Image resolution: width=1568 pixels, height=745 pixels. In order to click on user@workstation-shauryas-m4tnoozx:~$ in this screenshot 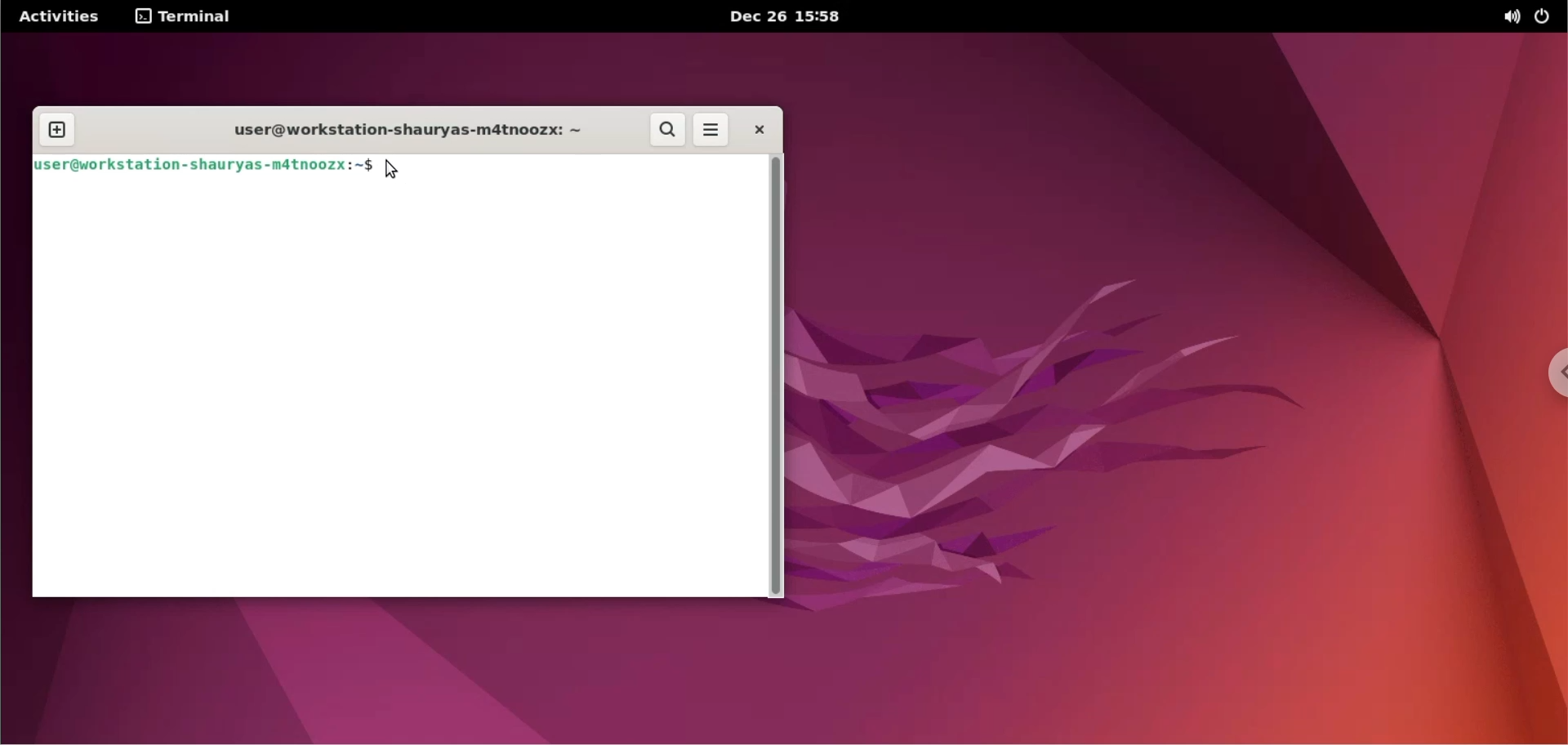, I will do `click(204, 166)`.